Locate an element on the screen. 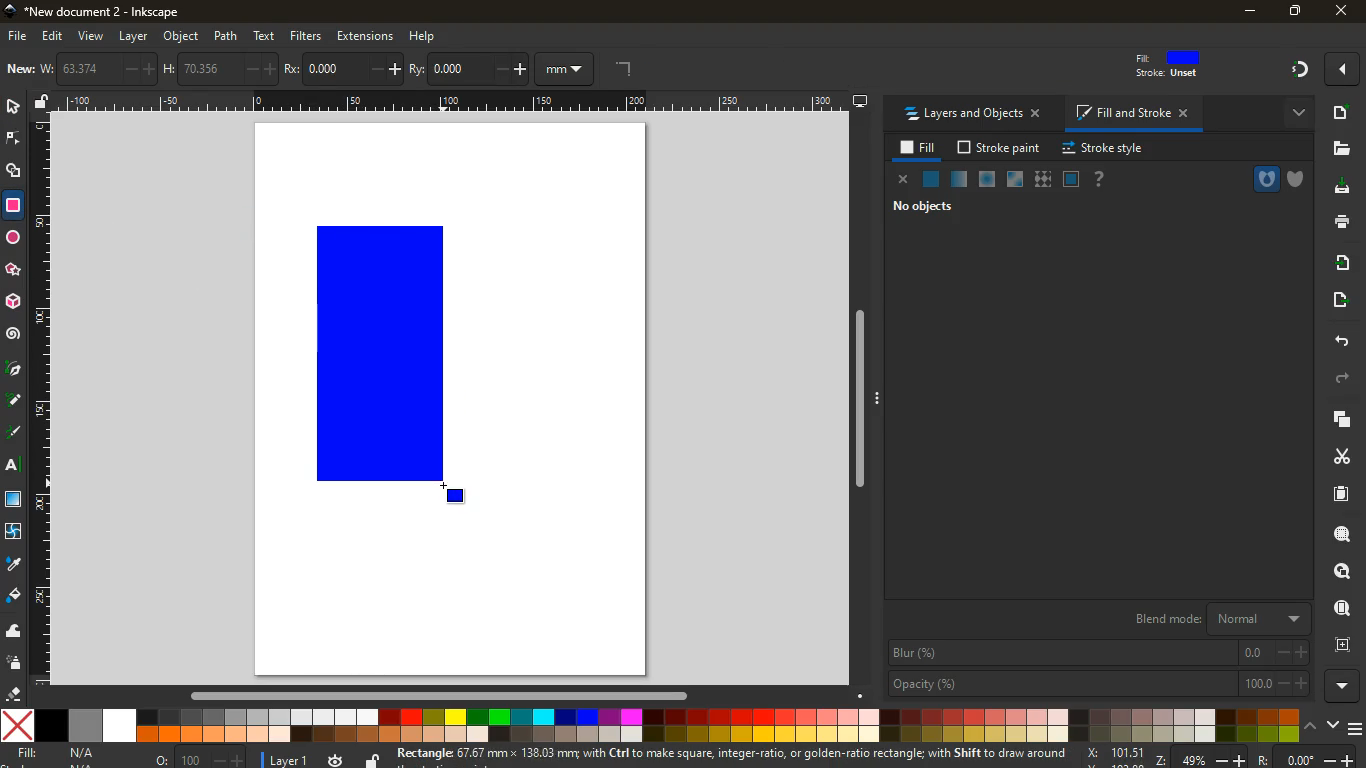  forward is located at coordinates (1340, 378).